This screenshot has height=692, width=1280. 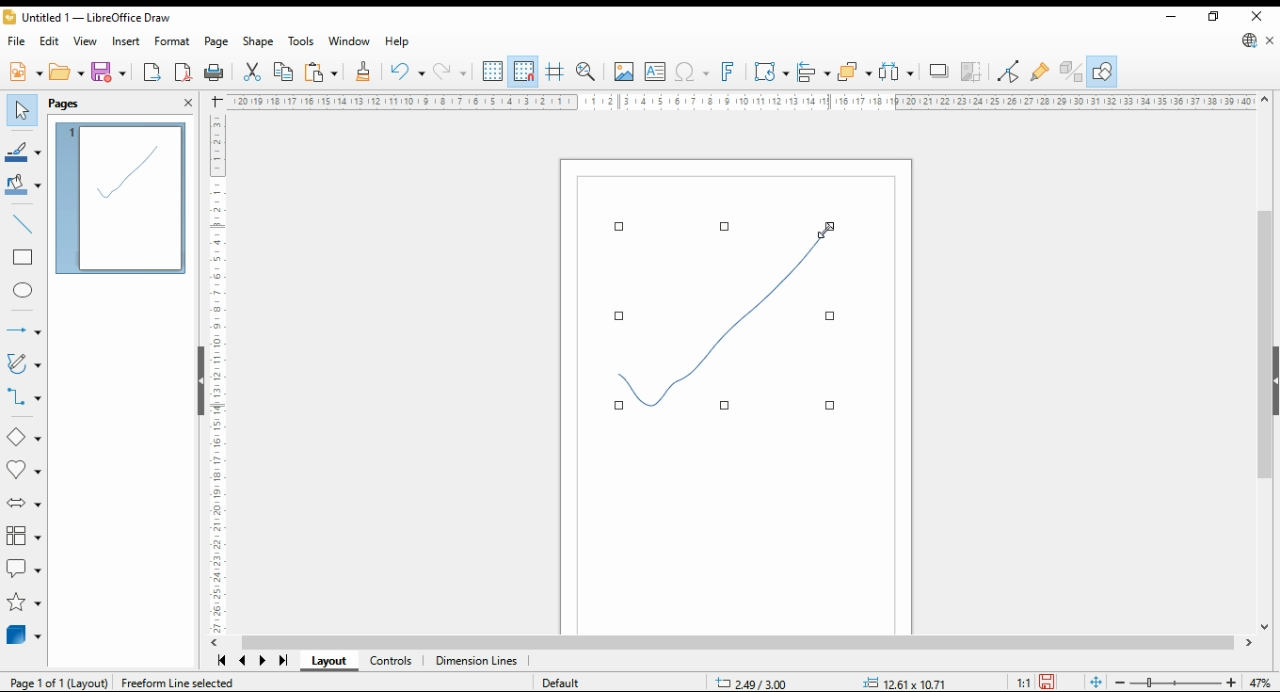 I want to click on flowchart, so click(x=24, y=537).